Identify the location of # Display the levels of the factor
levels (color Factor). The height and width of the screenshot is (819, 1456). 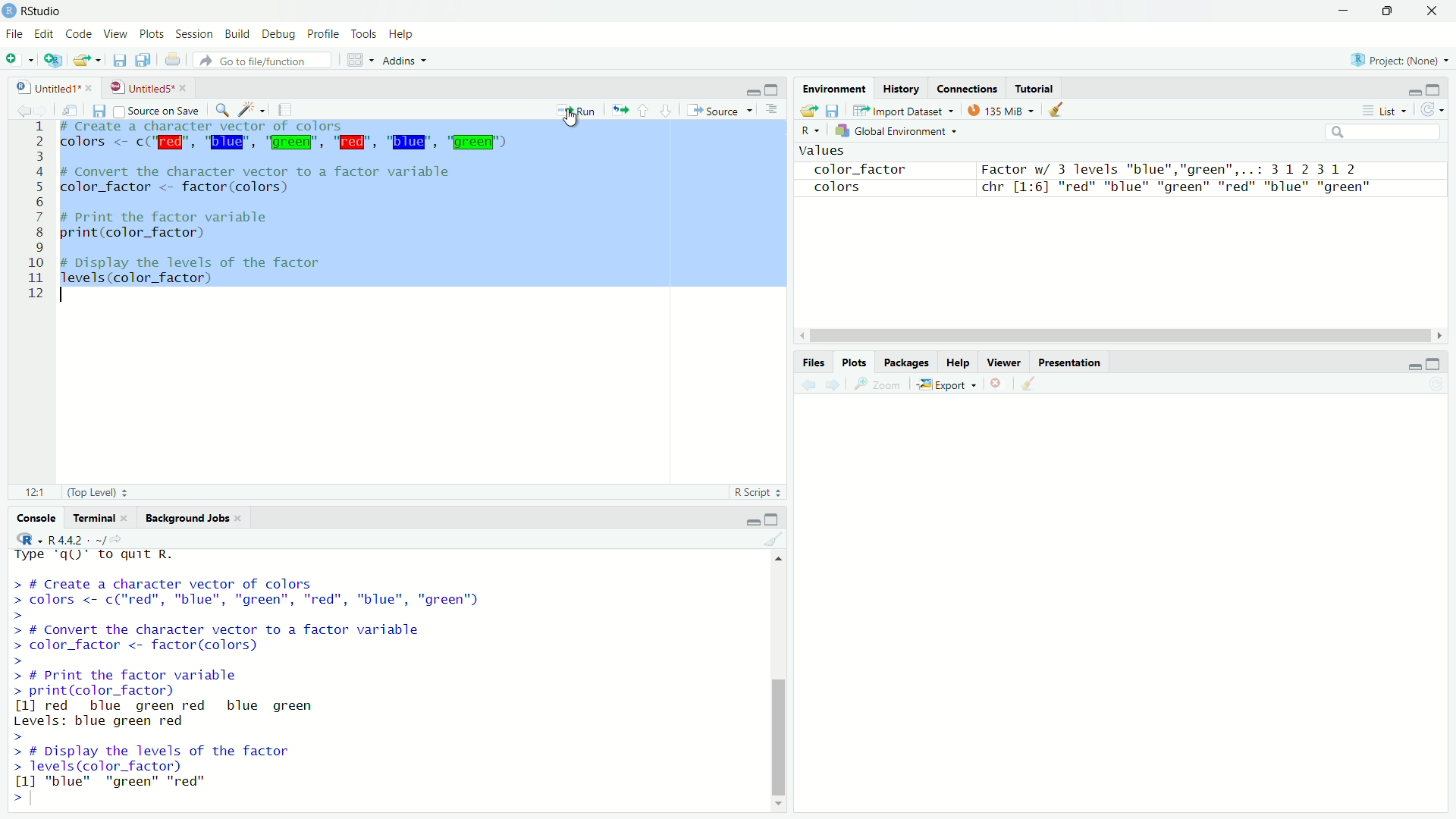
(202, 269).